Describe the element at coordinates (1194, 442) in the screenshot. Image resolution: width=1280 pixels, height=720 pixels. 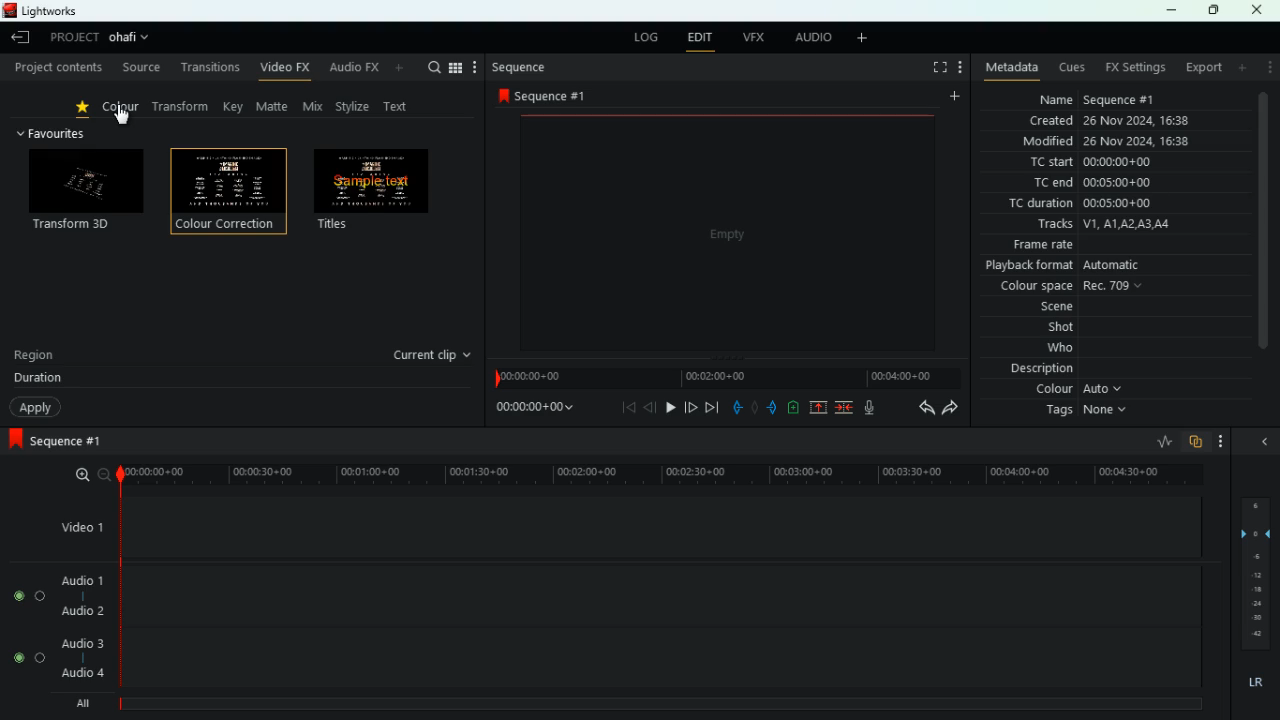
I see `overlap` at that location.